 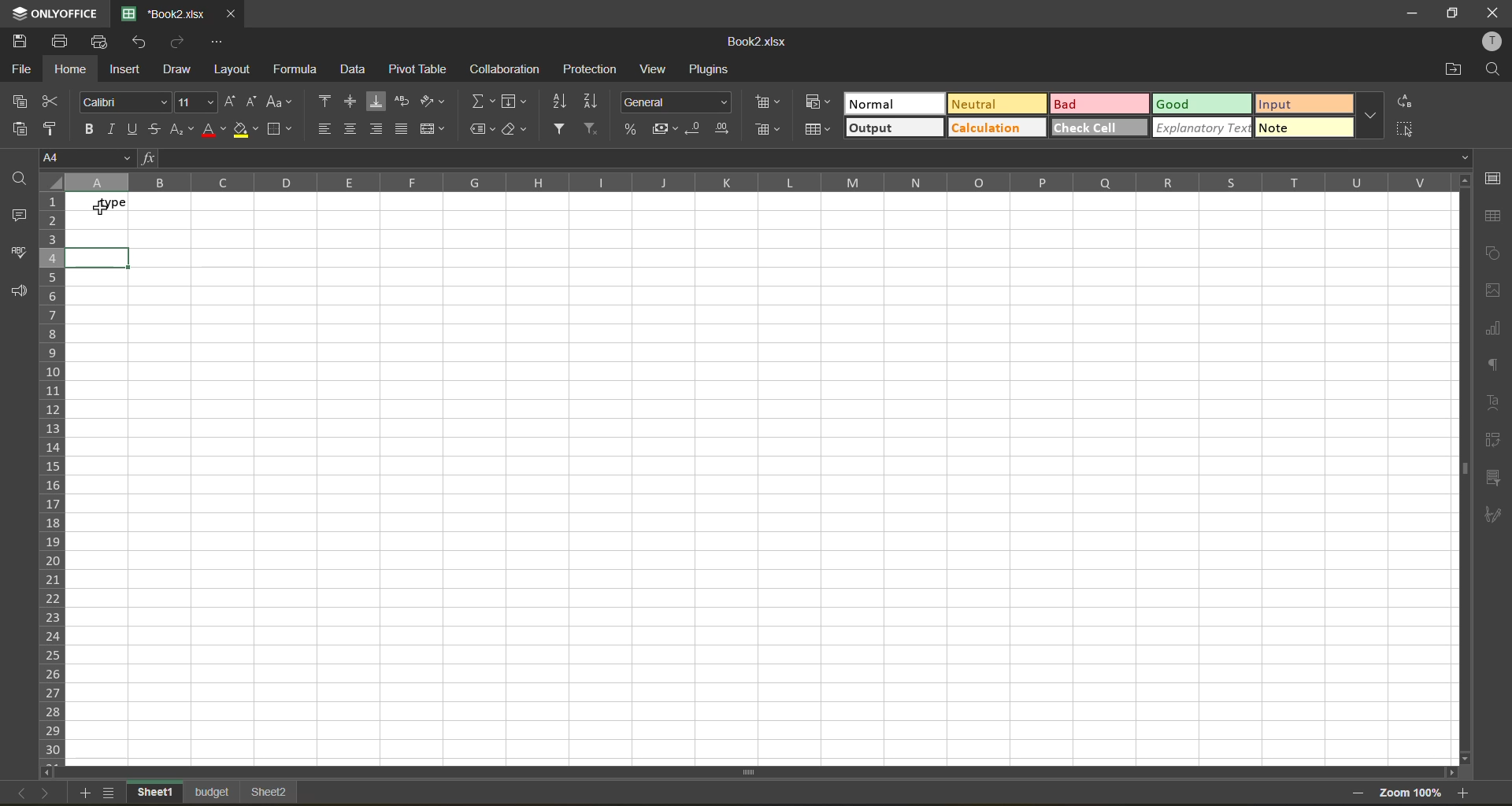 I want to click on italic, so click(x=114, y=128).